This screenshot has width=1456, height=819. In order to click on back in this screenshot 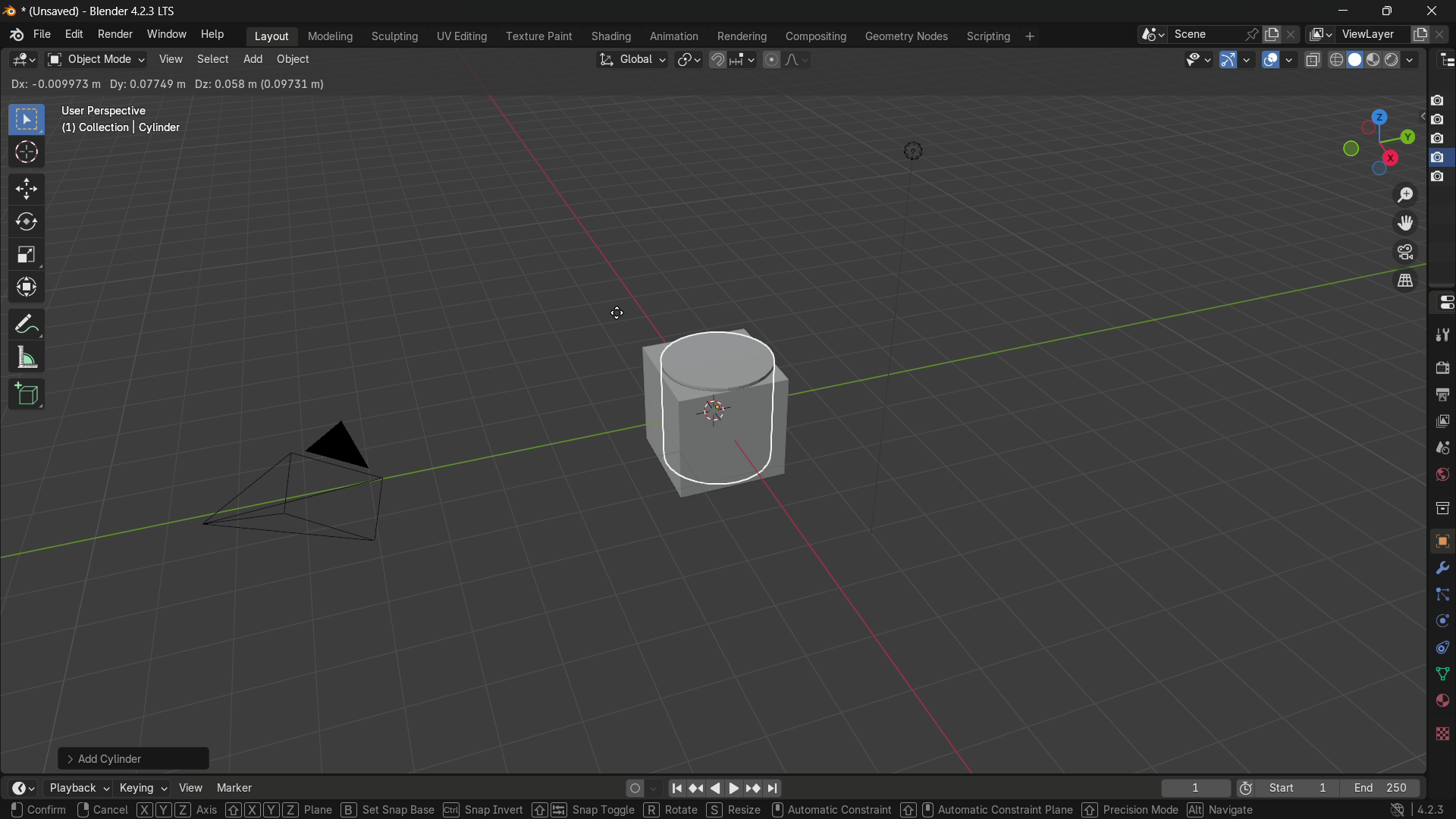, I will do `click(714, 789)`.